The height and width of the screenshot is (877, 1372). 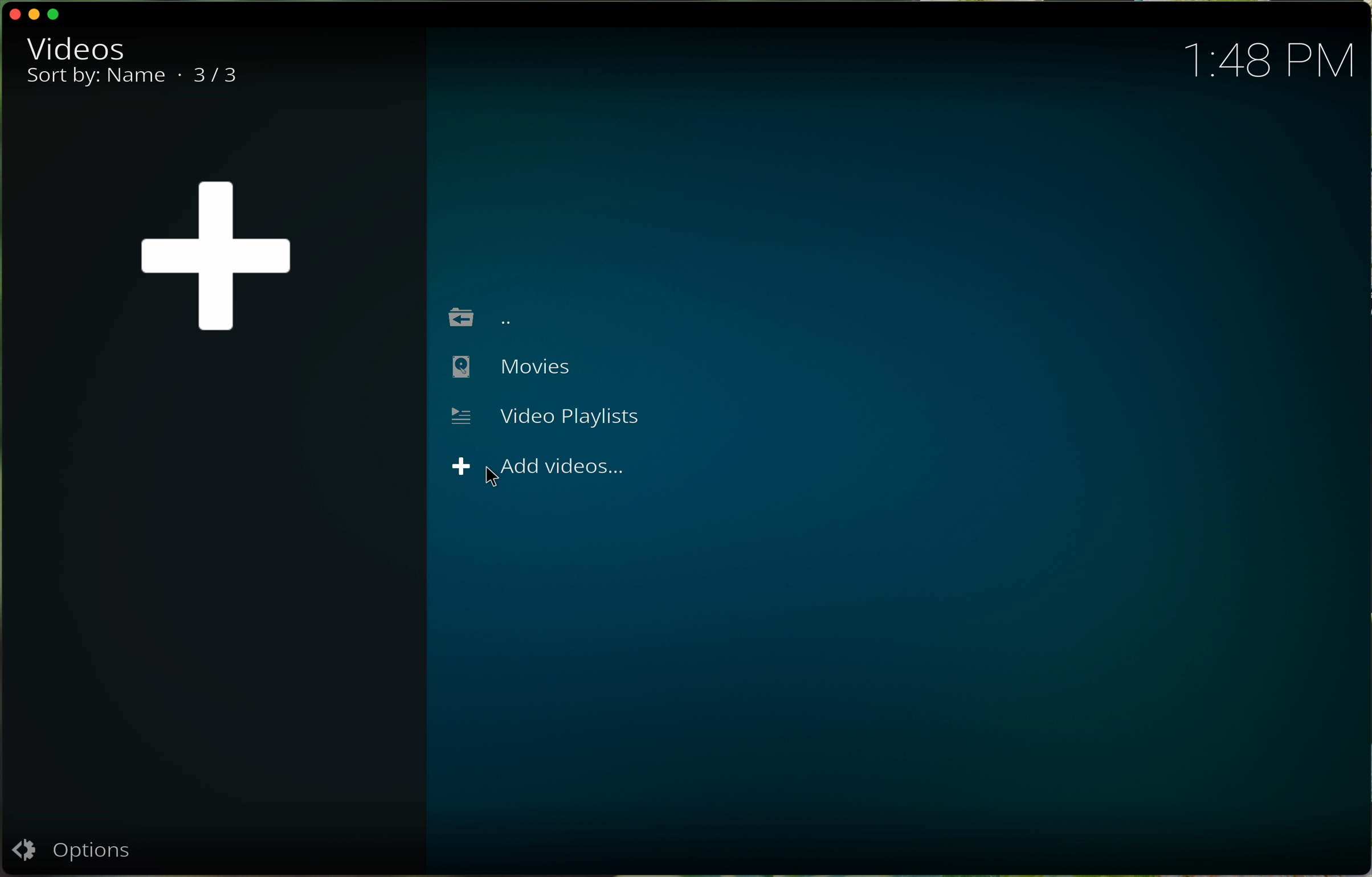 I want to click on video playlist option, so click(x=545, y=415).